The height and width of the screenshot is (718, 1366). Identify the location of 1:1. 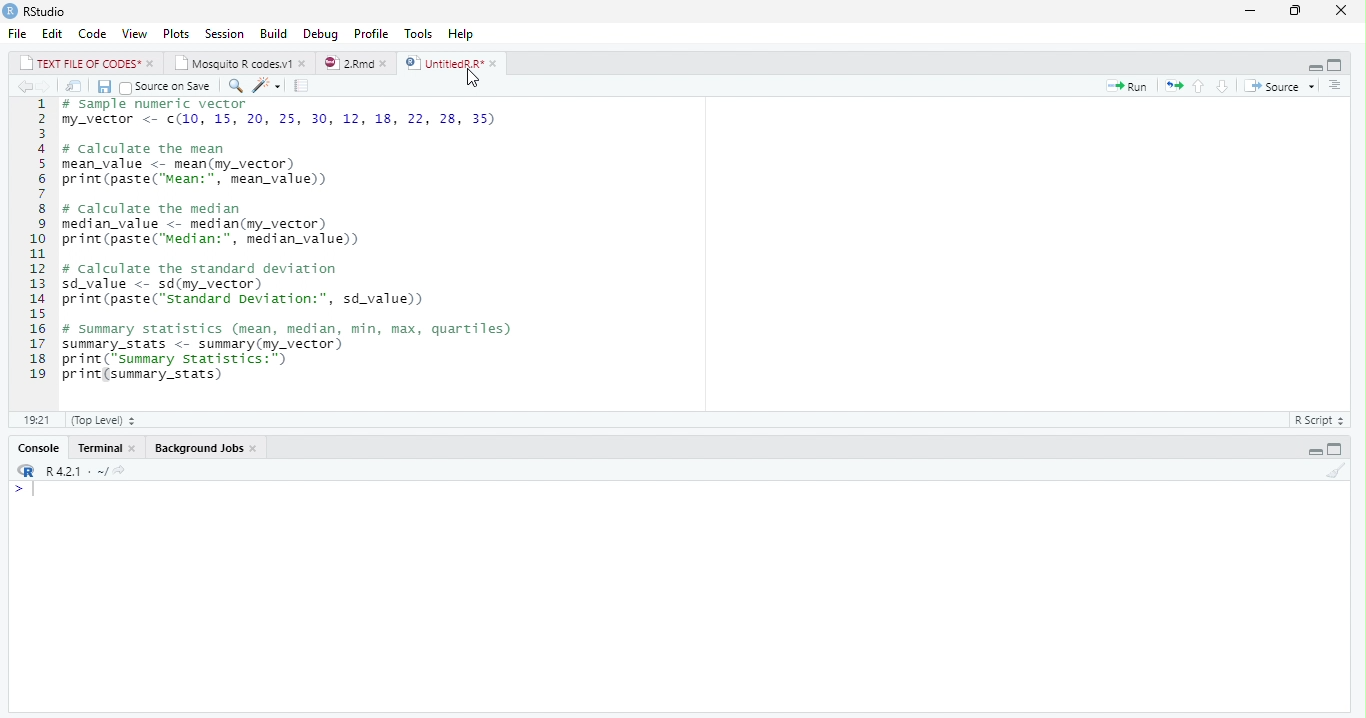
(35, 420).